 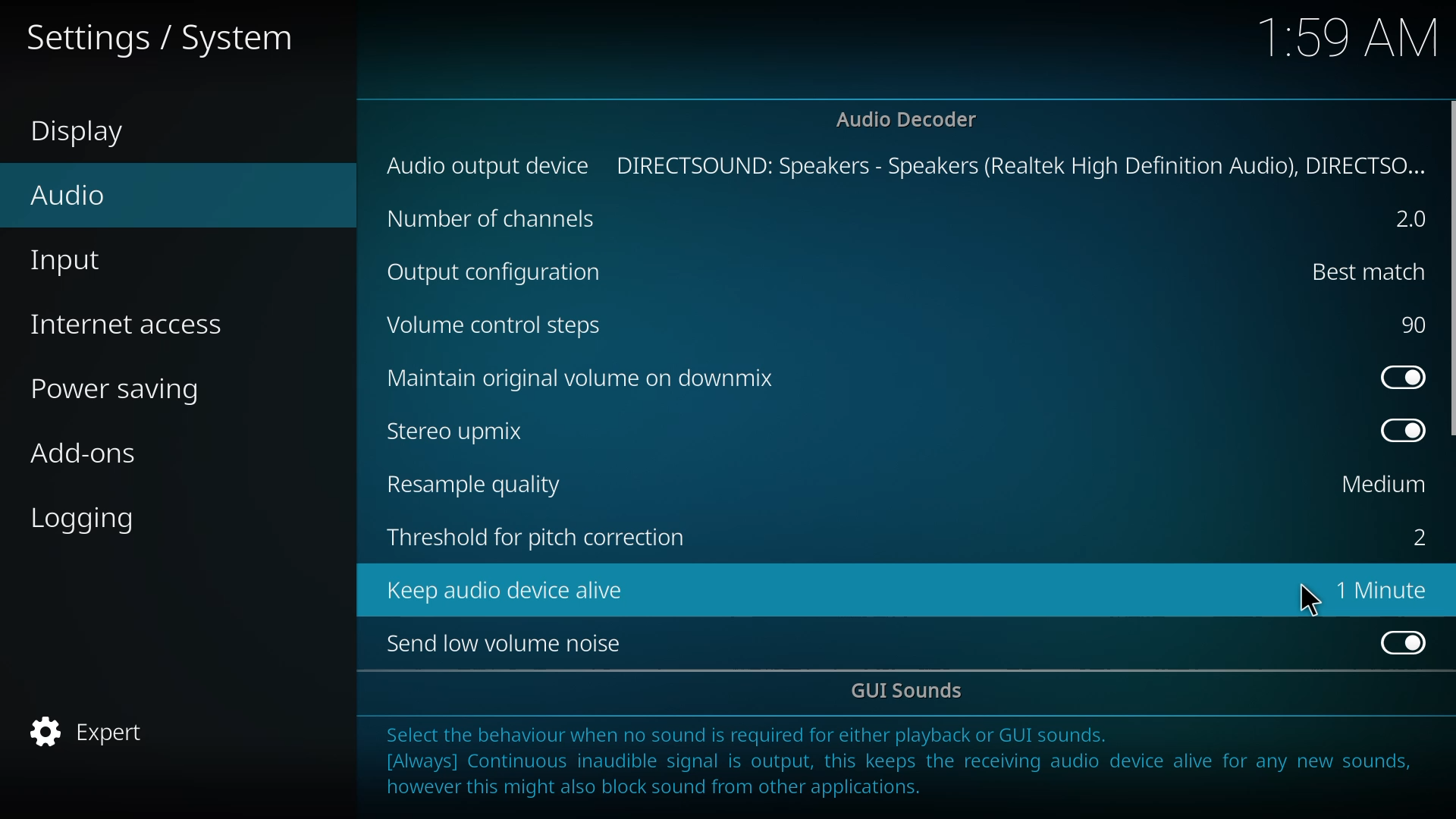 I want to click on input, so click(x=70, y=262).